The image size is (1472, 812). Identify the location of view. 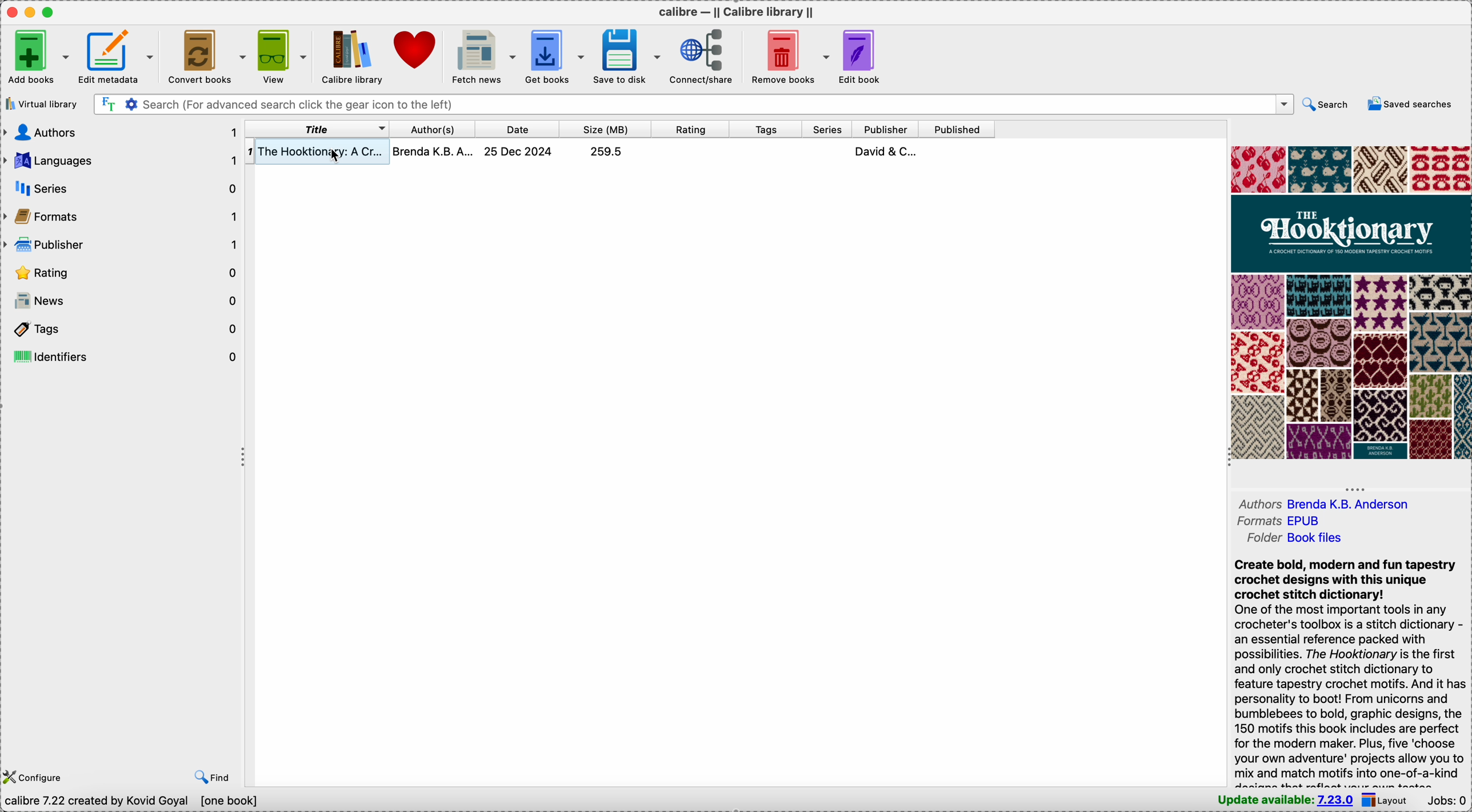
(279, 55).